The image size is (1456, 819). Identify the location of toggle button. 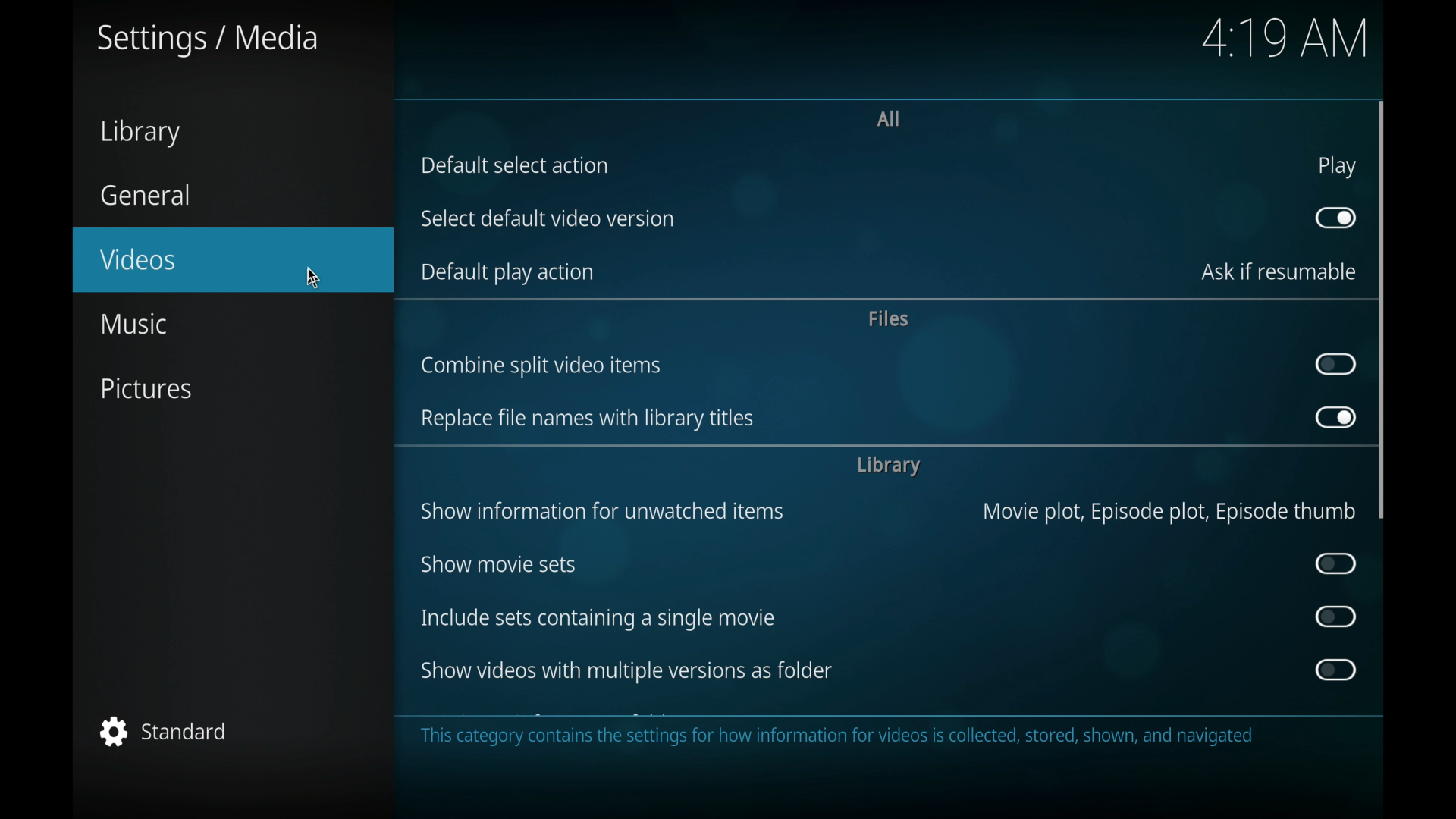
(1336, 563).